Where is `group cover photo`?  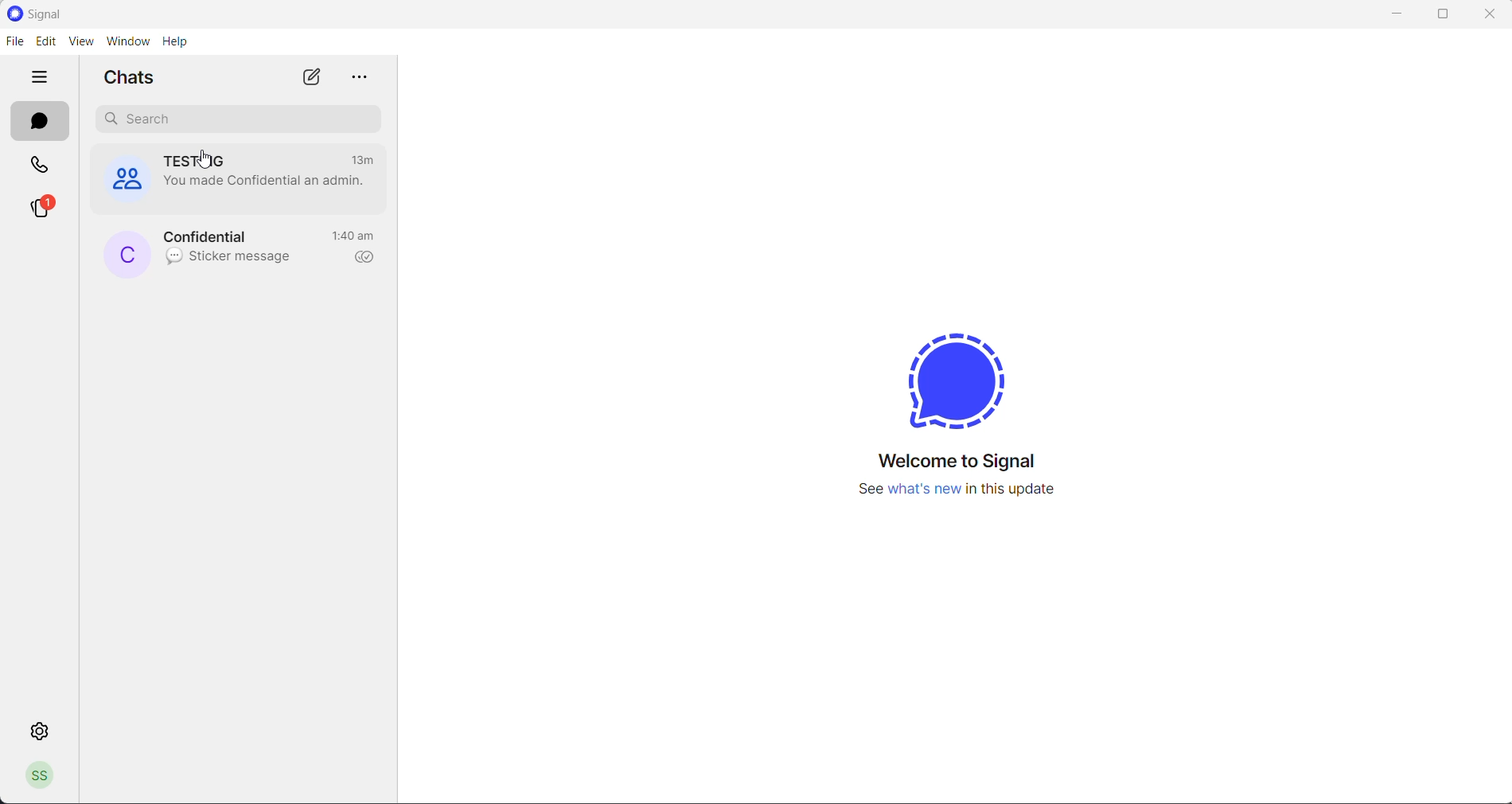
group cover photo is located at coordinates (125, 181).